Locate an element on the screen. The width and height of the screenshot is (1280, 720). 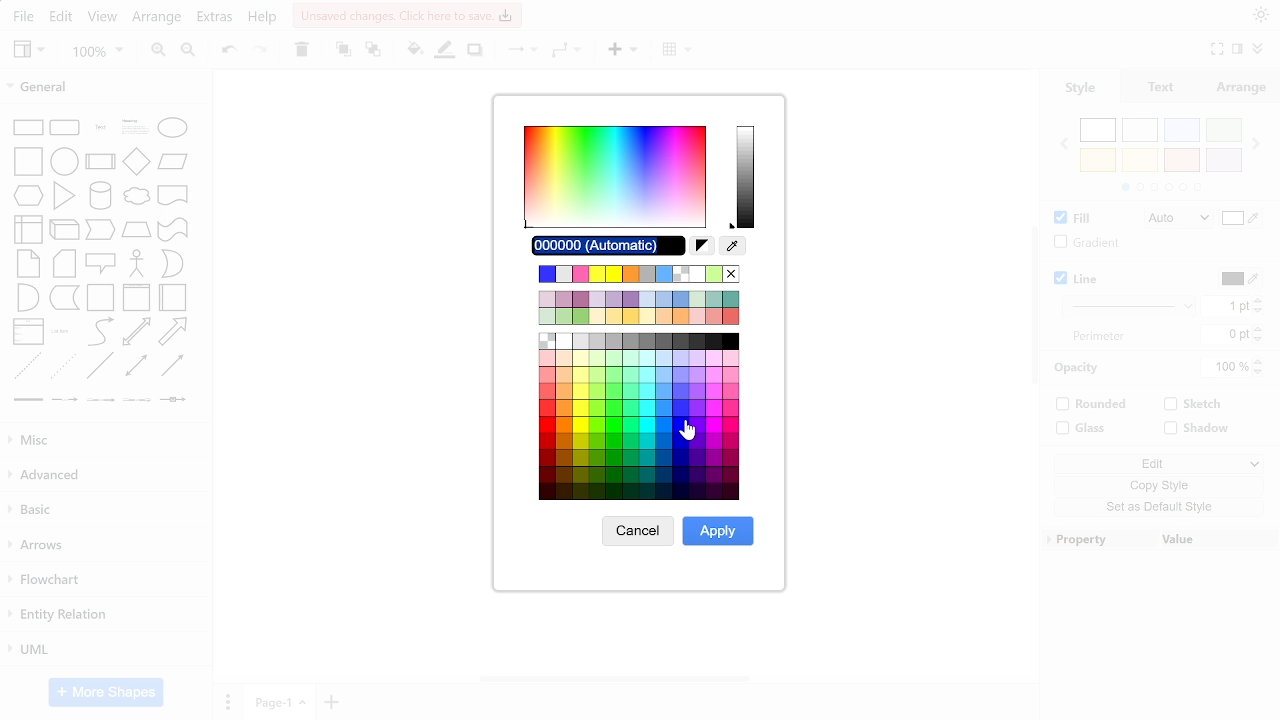
to back is located at coordinates (372, 51).